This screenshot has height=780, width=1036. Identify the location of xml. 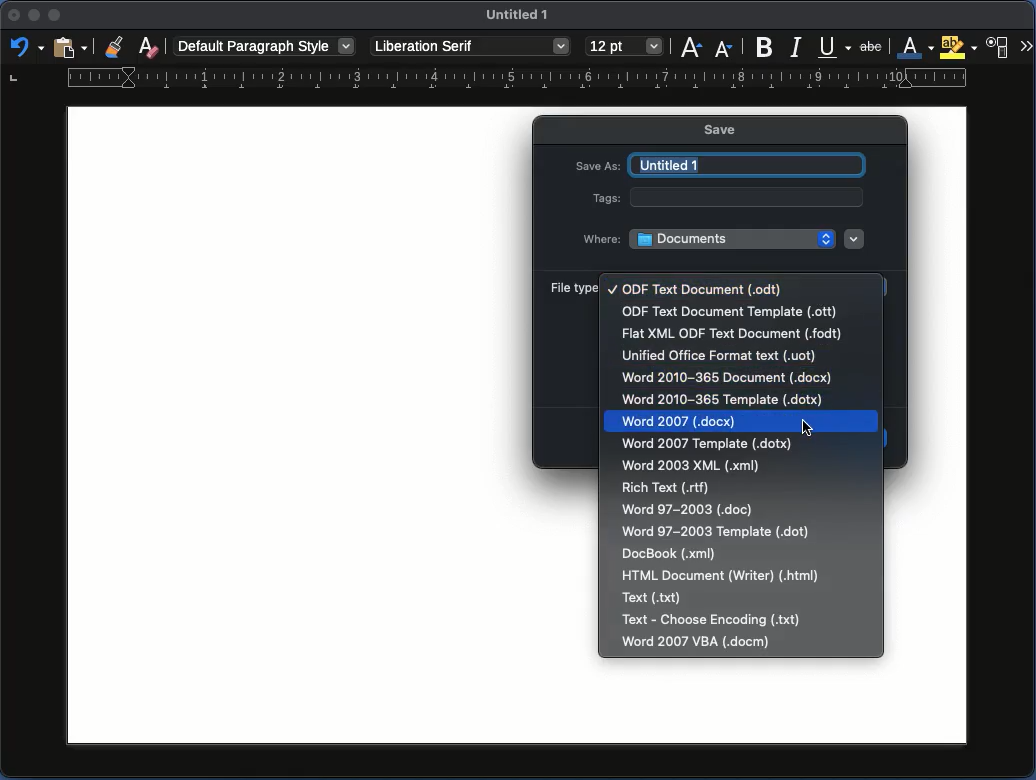
(693, 466).